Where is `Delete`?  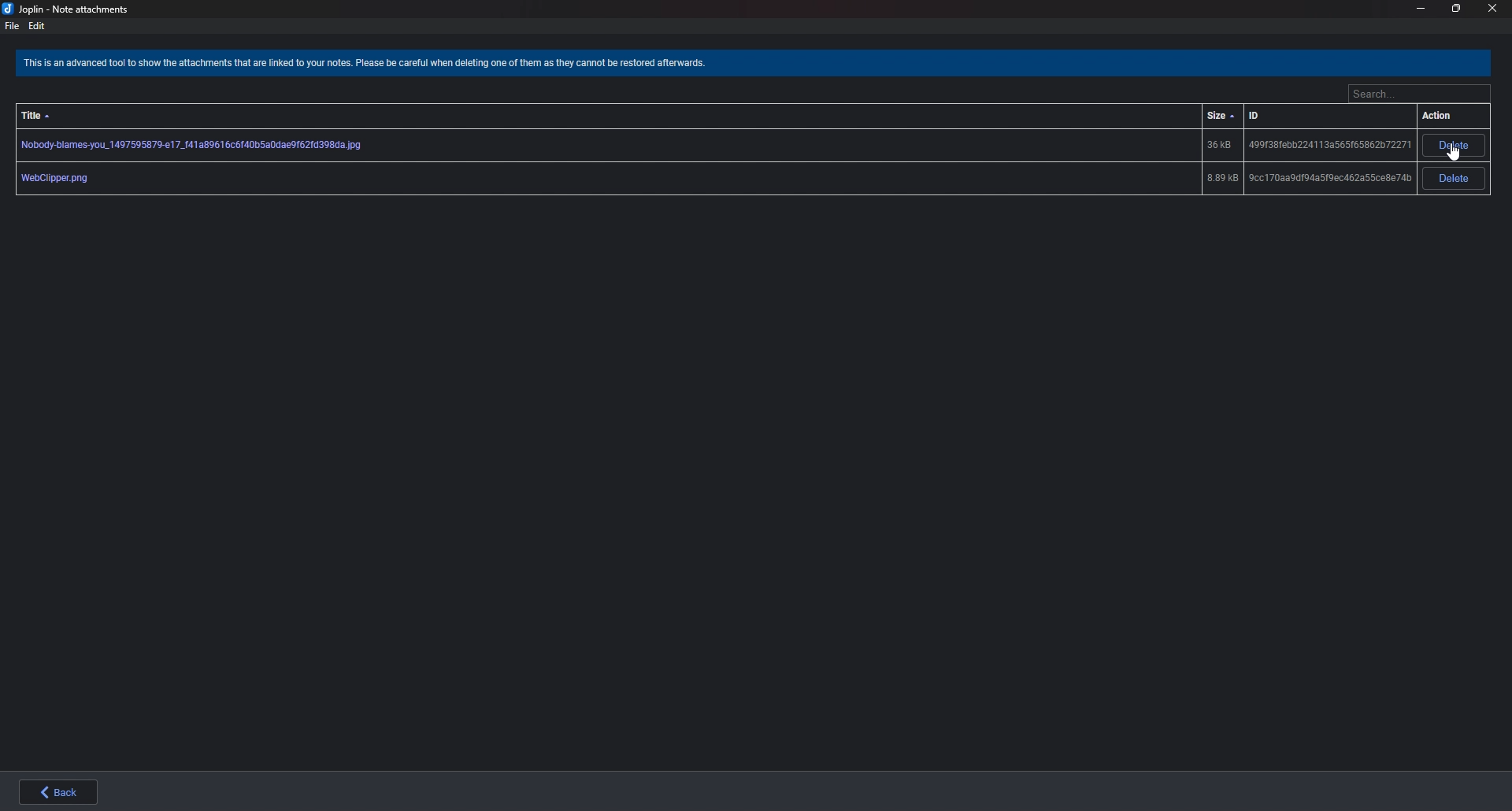 Delete is located at coordinates (1455, 146).